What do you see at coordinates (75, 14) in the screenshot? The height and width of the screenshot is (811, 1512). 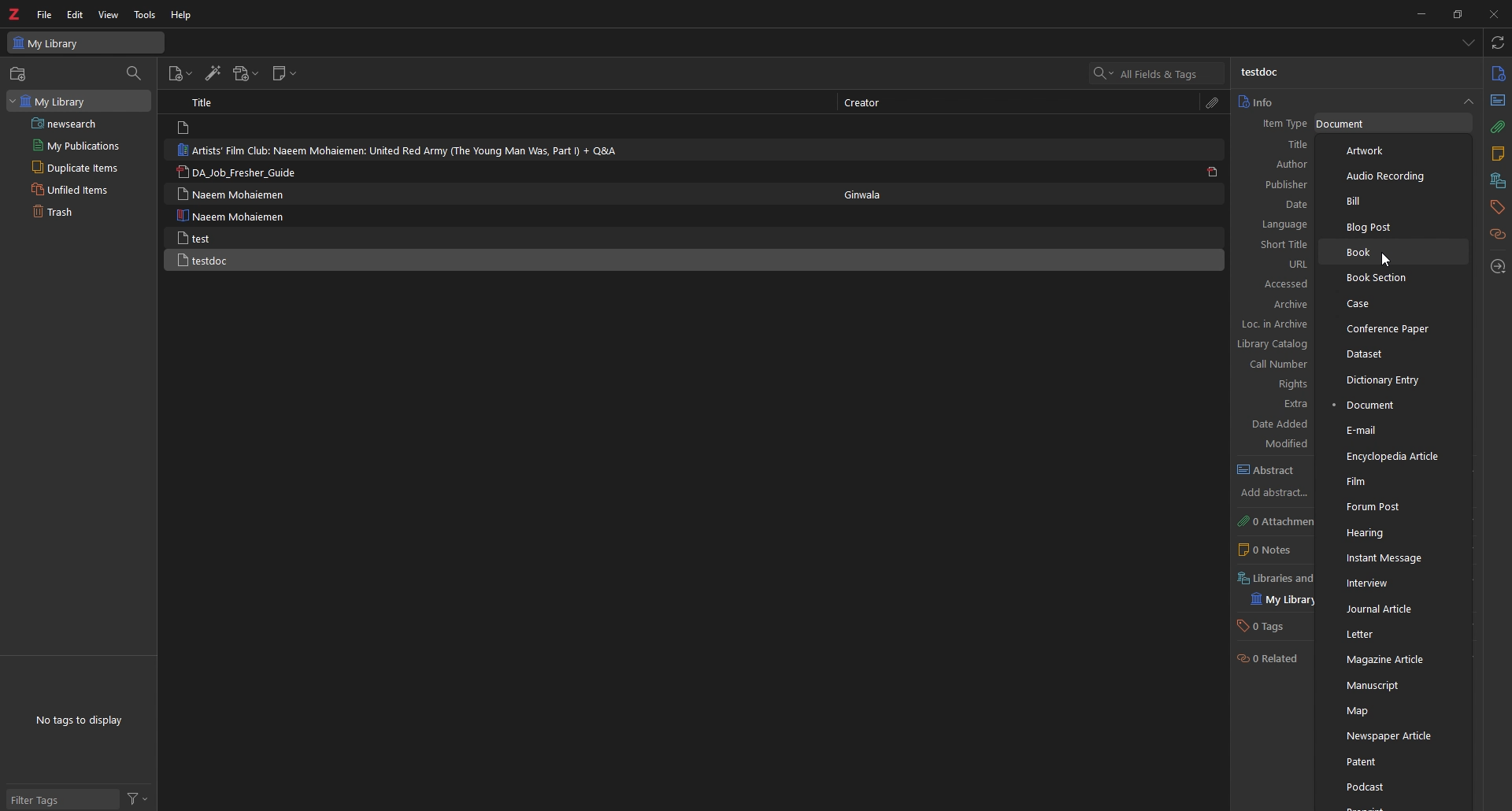 I see `edit` at bounding box center [75, 14].